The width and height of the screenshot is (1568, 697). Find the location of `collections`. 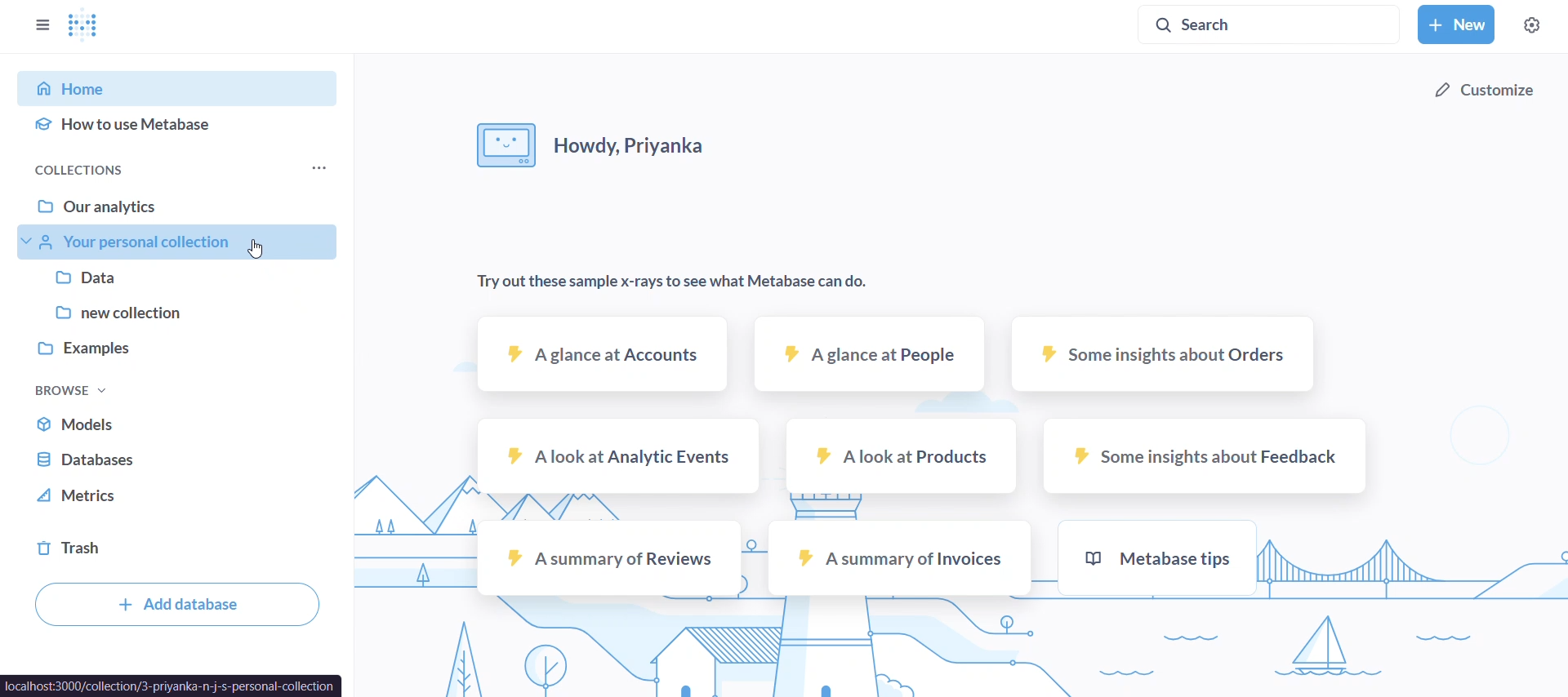

collections is located at coordinates (100, 171).